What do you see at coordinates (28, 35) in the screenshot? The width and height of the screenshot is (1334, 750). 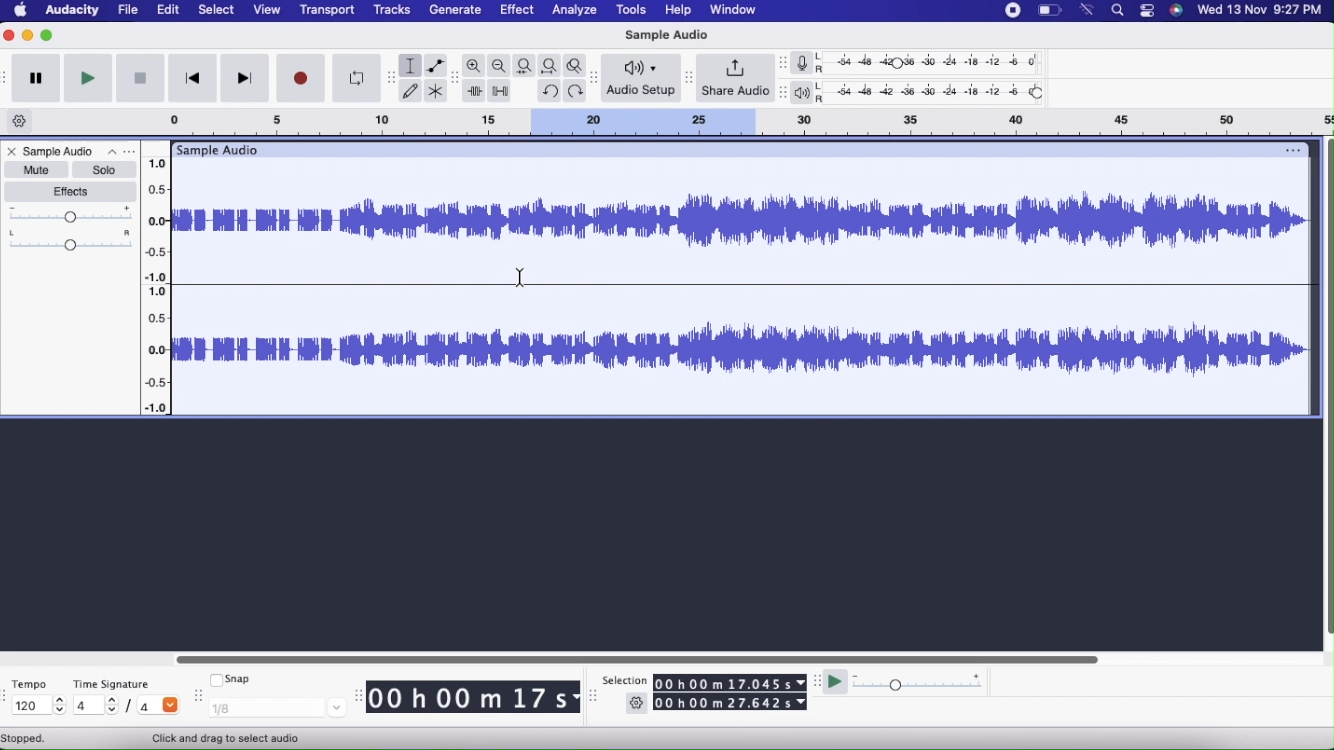 I see `Minimize` at bounding box center [28, 35].